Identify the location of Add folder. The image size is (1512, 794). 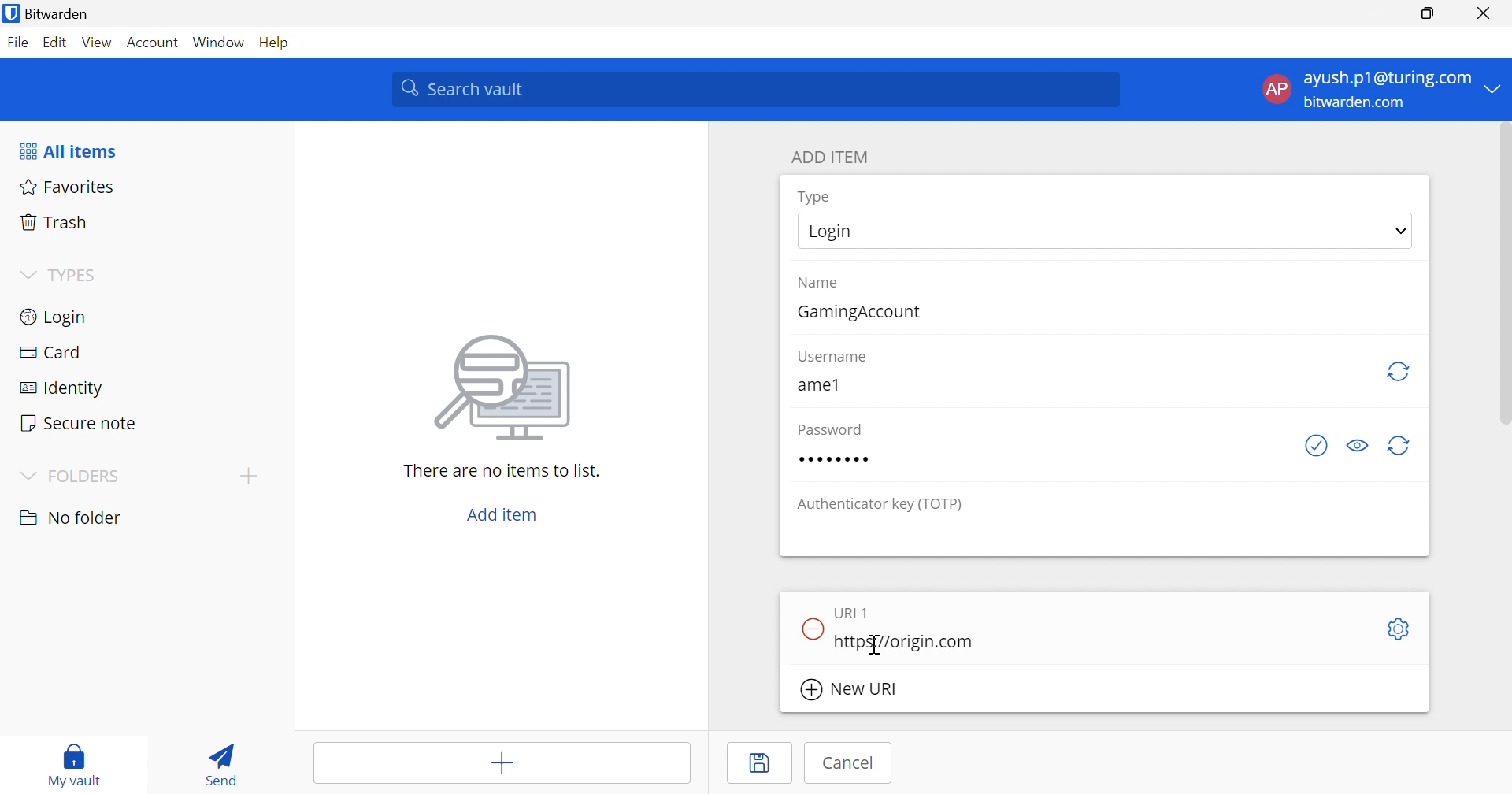
(253, 475).